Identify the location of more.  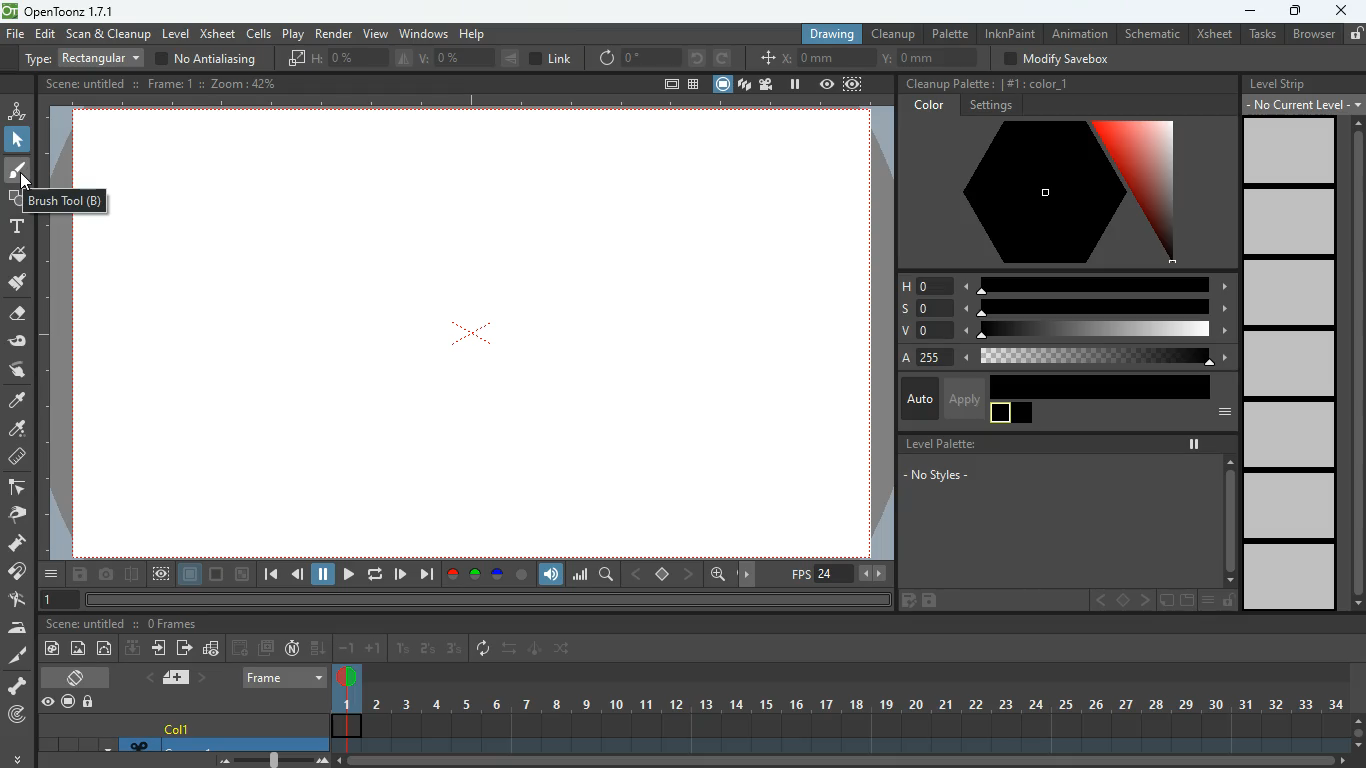
(20, 756).